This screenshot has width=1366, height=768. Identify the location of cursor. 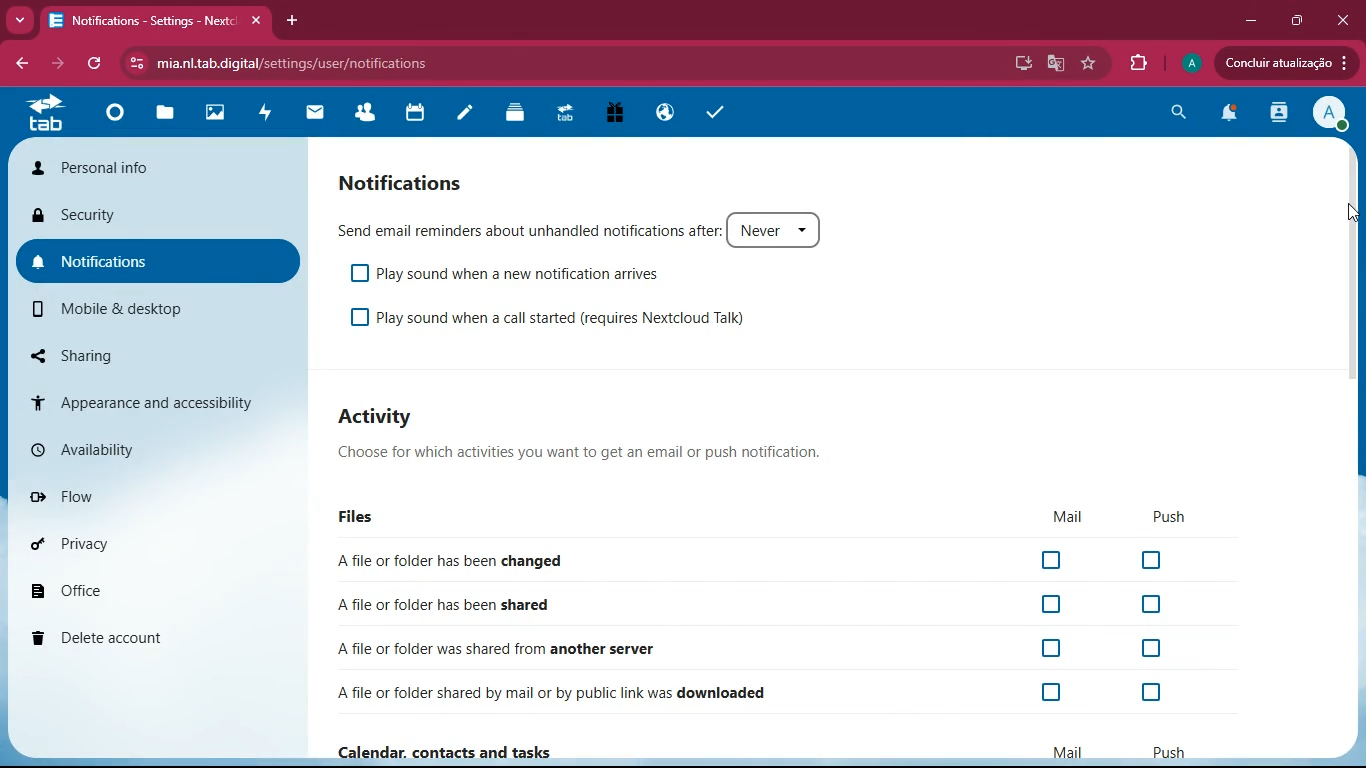
(1346, 212).